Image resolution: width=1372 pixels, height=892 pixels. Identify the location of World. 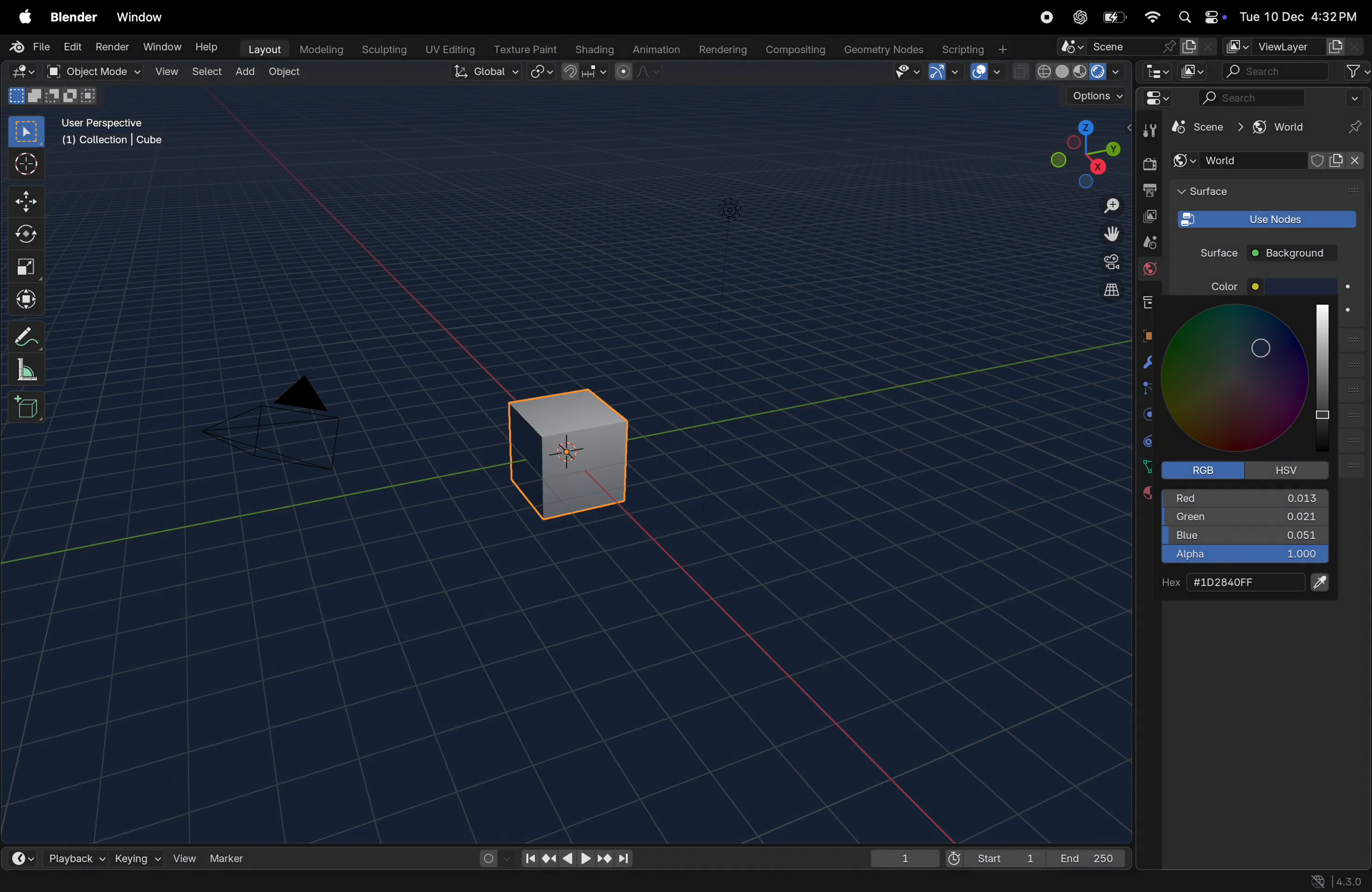
(1149, 271).